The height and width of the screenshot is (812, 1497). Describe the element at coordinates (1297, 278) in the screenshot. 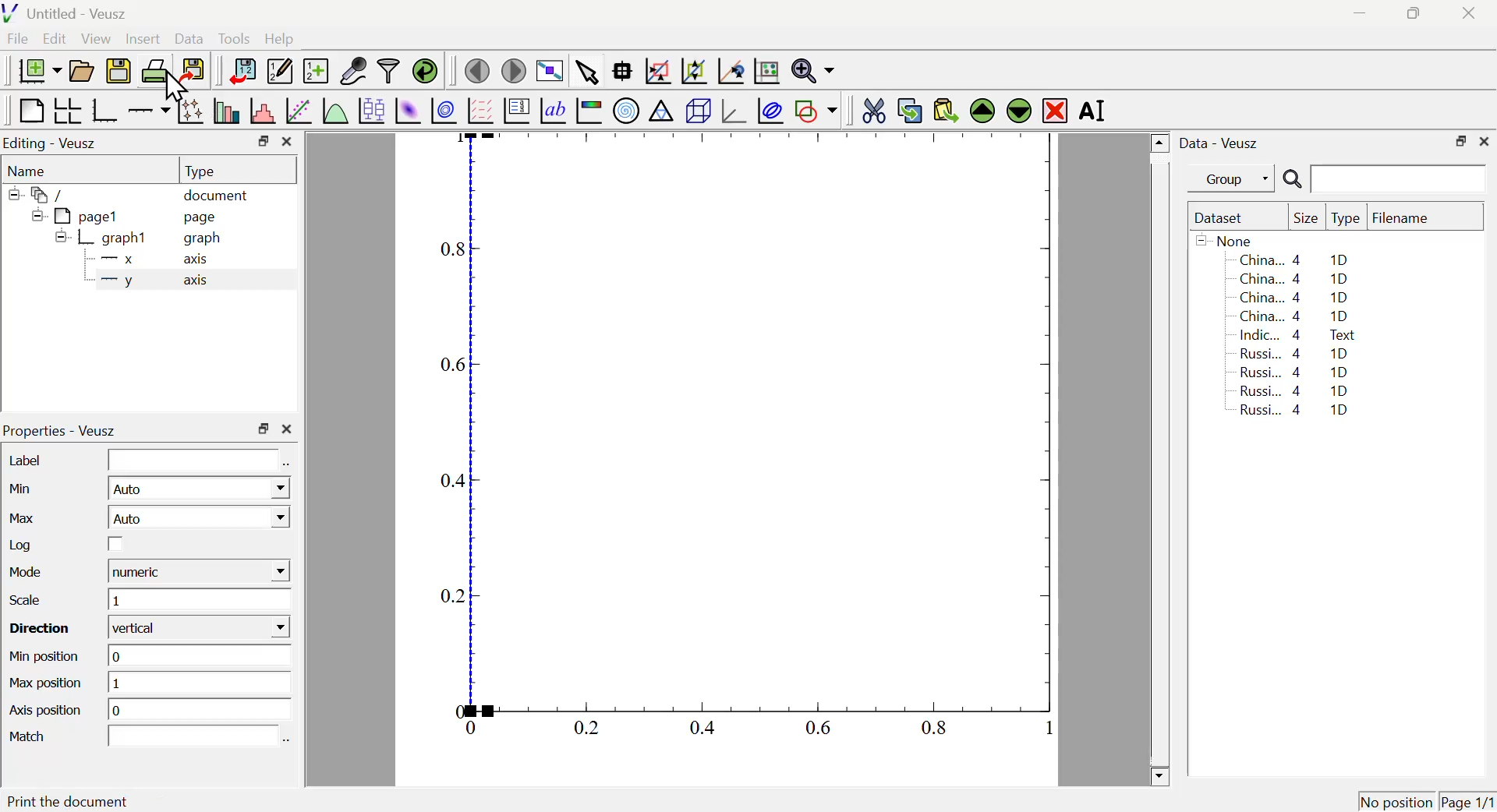

I see `China... 4 1D` at that location.